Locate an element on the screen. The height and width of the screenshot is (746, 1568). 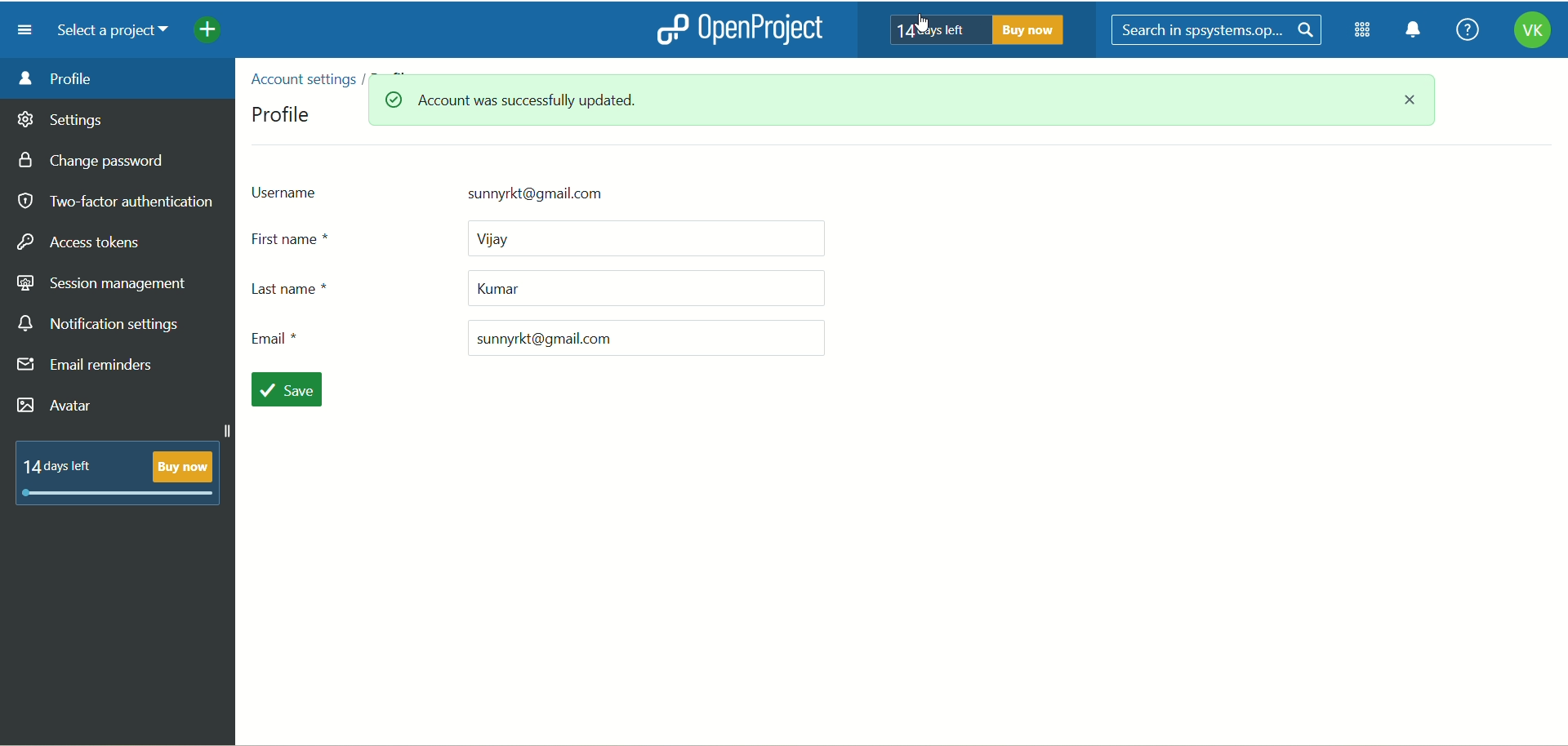
two-factor authentication is located at coordinates (114, 202).